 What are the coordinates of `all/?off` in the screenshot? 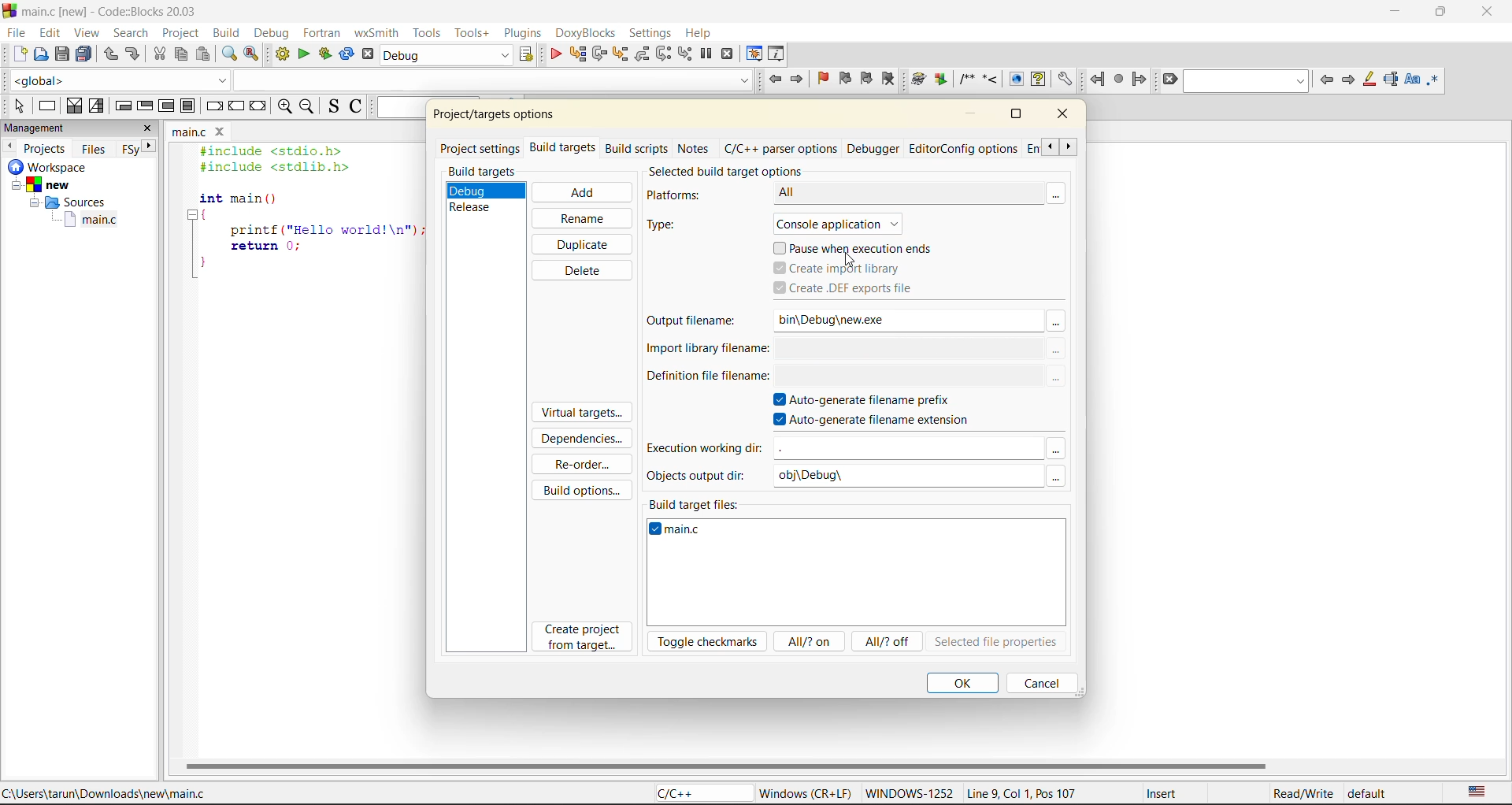 It's located at (889, 643).